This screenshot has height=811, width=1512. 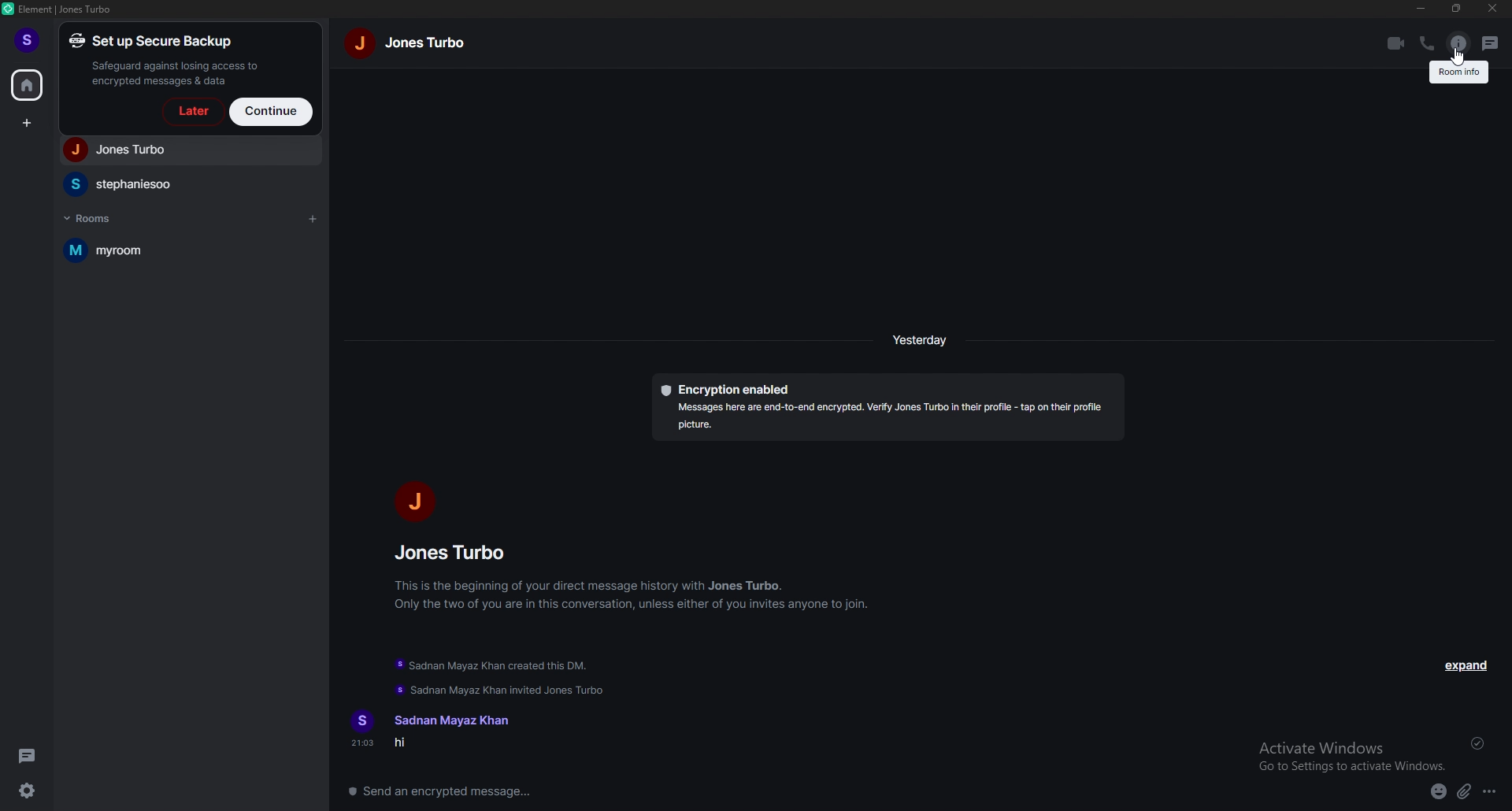 What do you see at coordinates (30, 41) in the screenshot?
I see `profile` at bounding box center [30, 41].